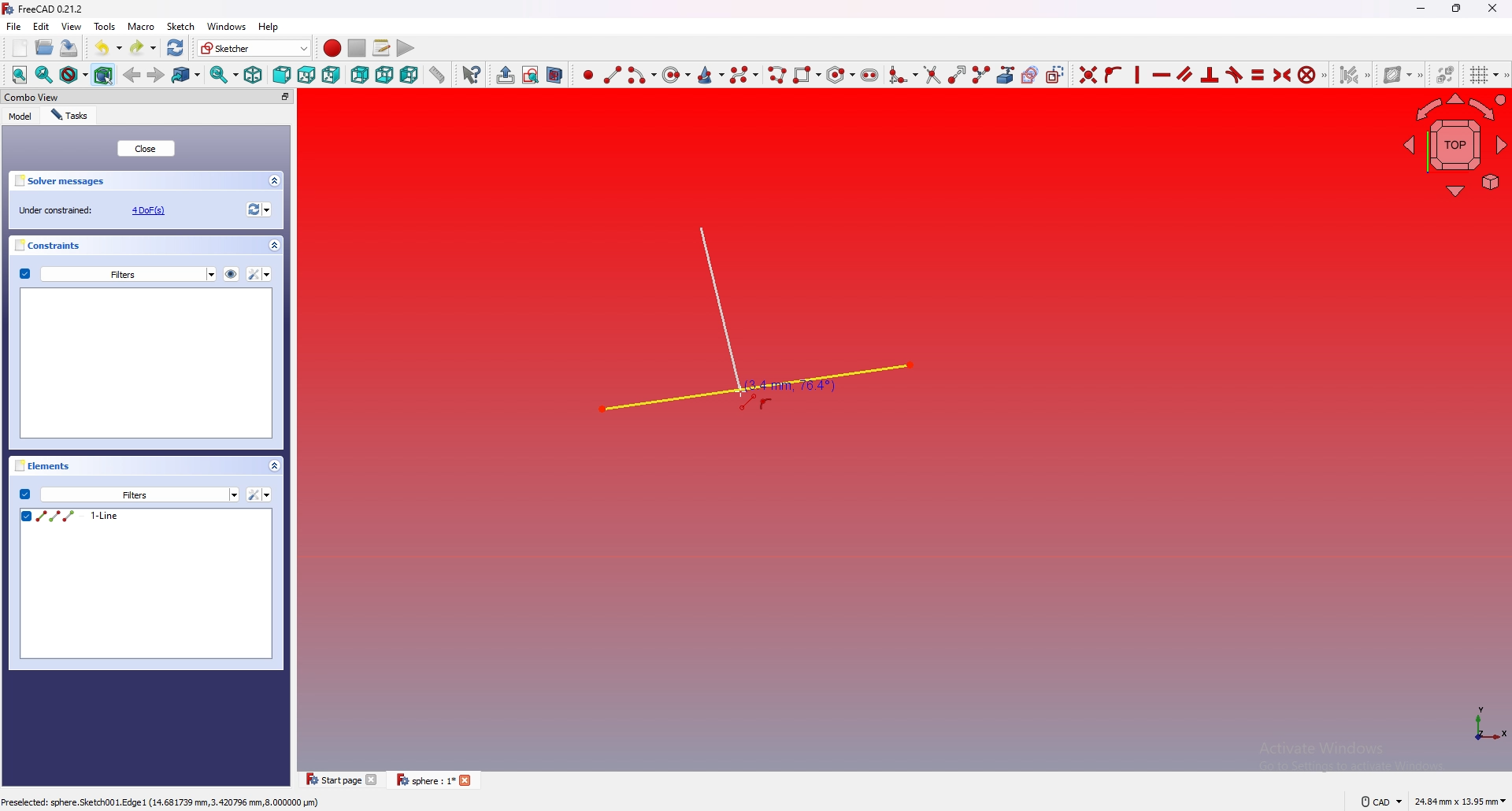 The image size is (1512, 811). Describe the element at coordinates (252, 76) in the screenshot. I see `Isometric` at that location.